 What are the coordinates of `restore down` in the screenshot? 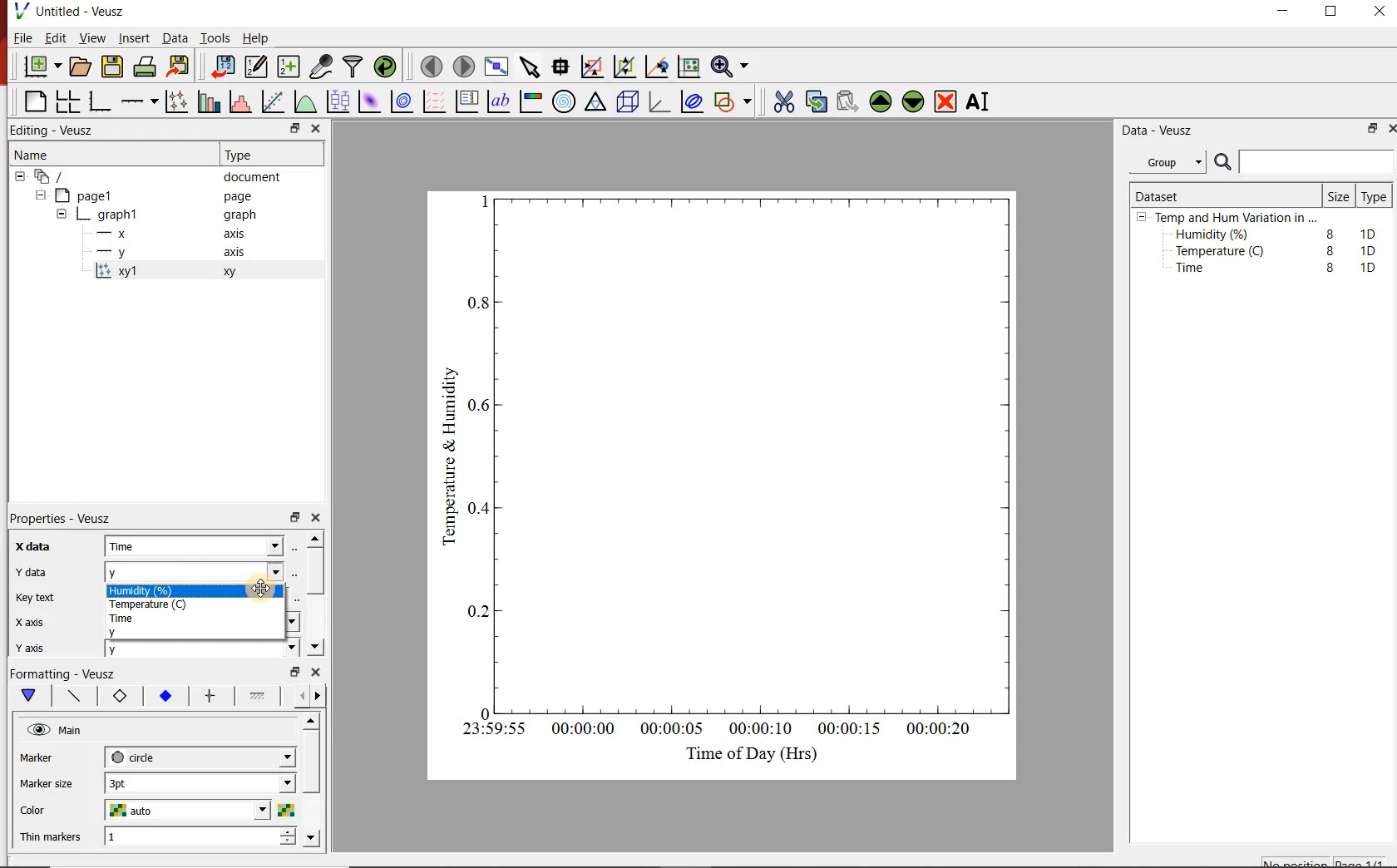 It's located at (292, 672).